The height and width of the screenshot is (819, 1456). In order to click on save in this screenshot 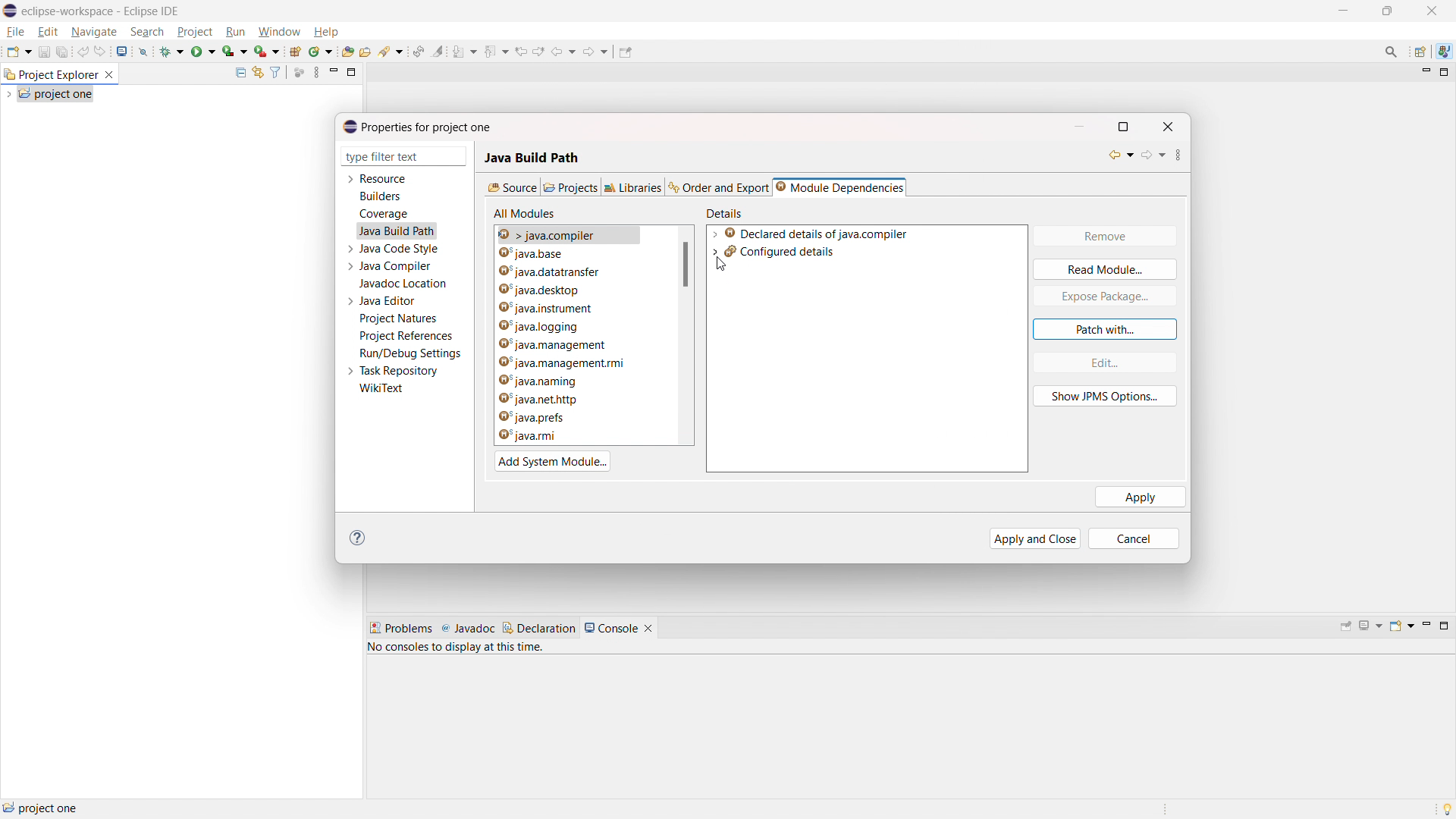, I will do `click(44, 52)`.